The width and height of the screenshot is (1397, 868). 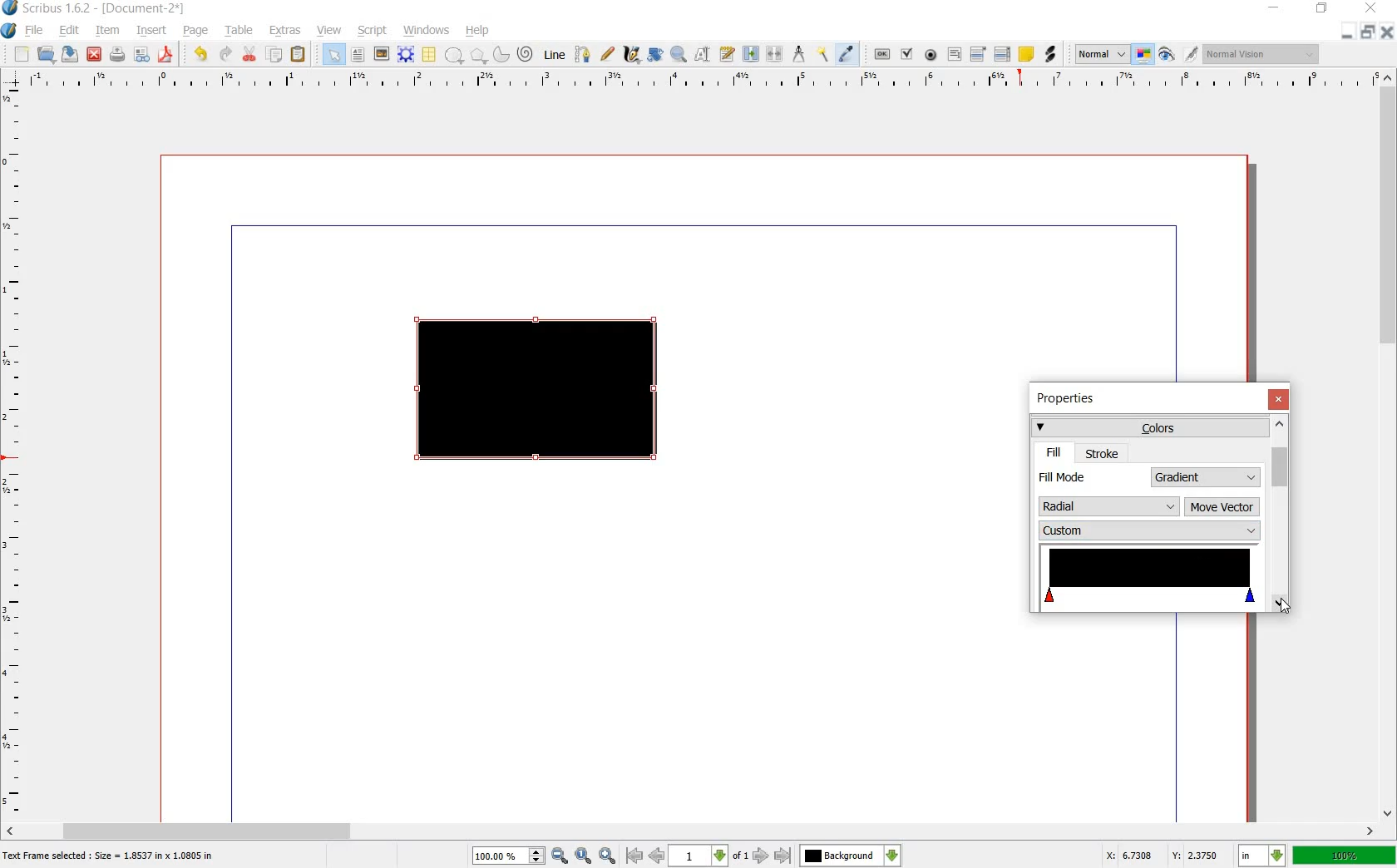 What do you see at coordinates (1322, 11) in the screenshot?
I see `restore` at bounding box center [1322, 11].